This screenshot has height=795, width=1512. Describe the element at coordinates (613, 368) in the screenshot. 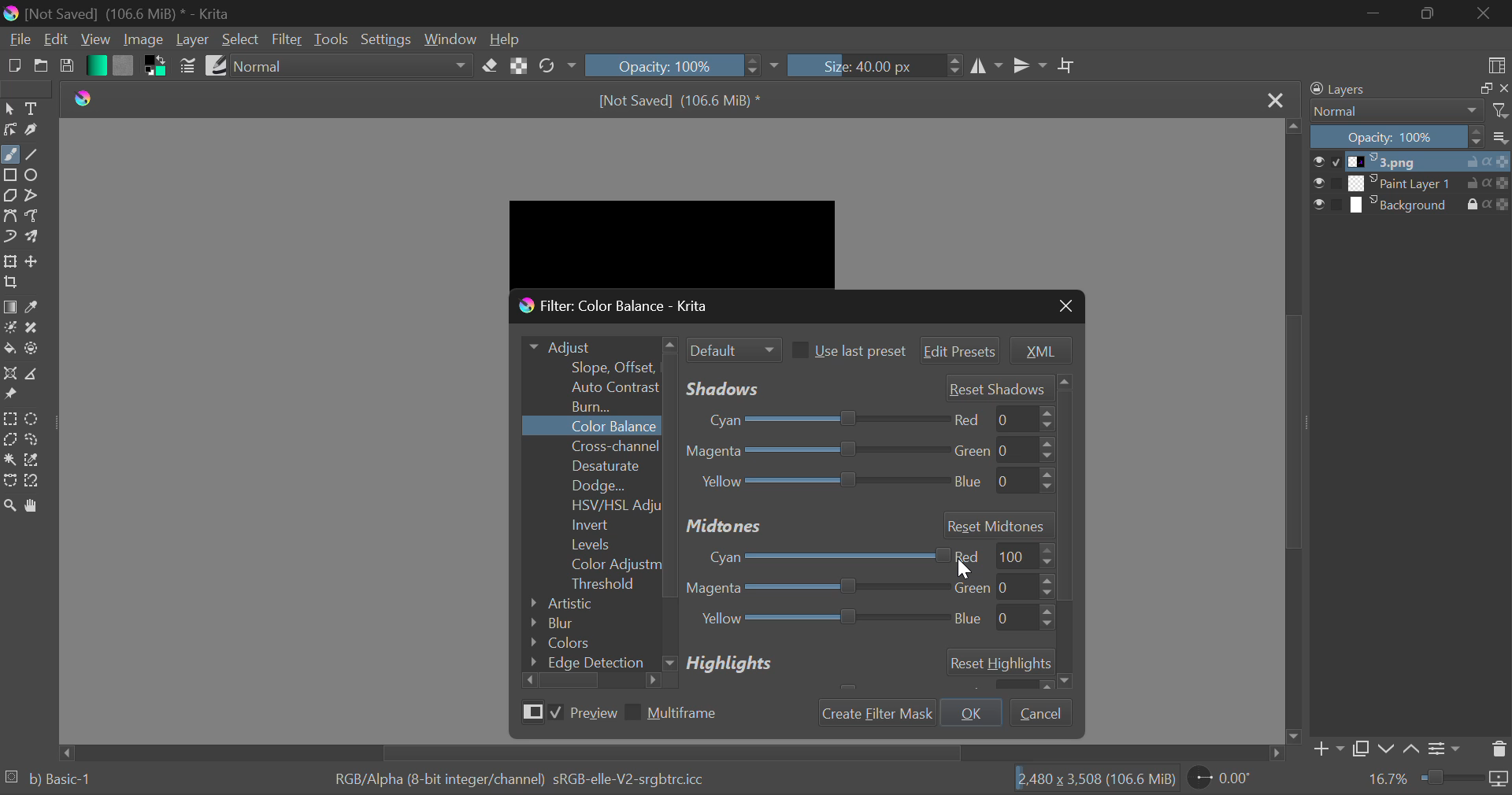

I see `Slope Offset` at that location.